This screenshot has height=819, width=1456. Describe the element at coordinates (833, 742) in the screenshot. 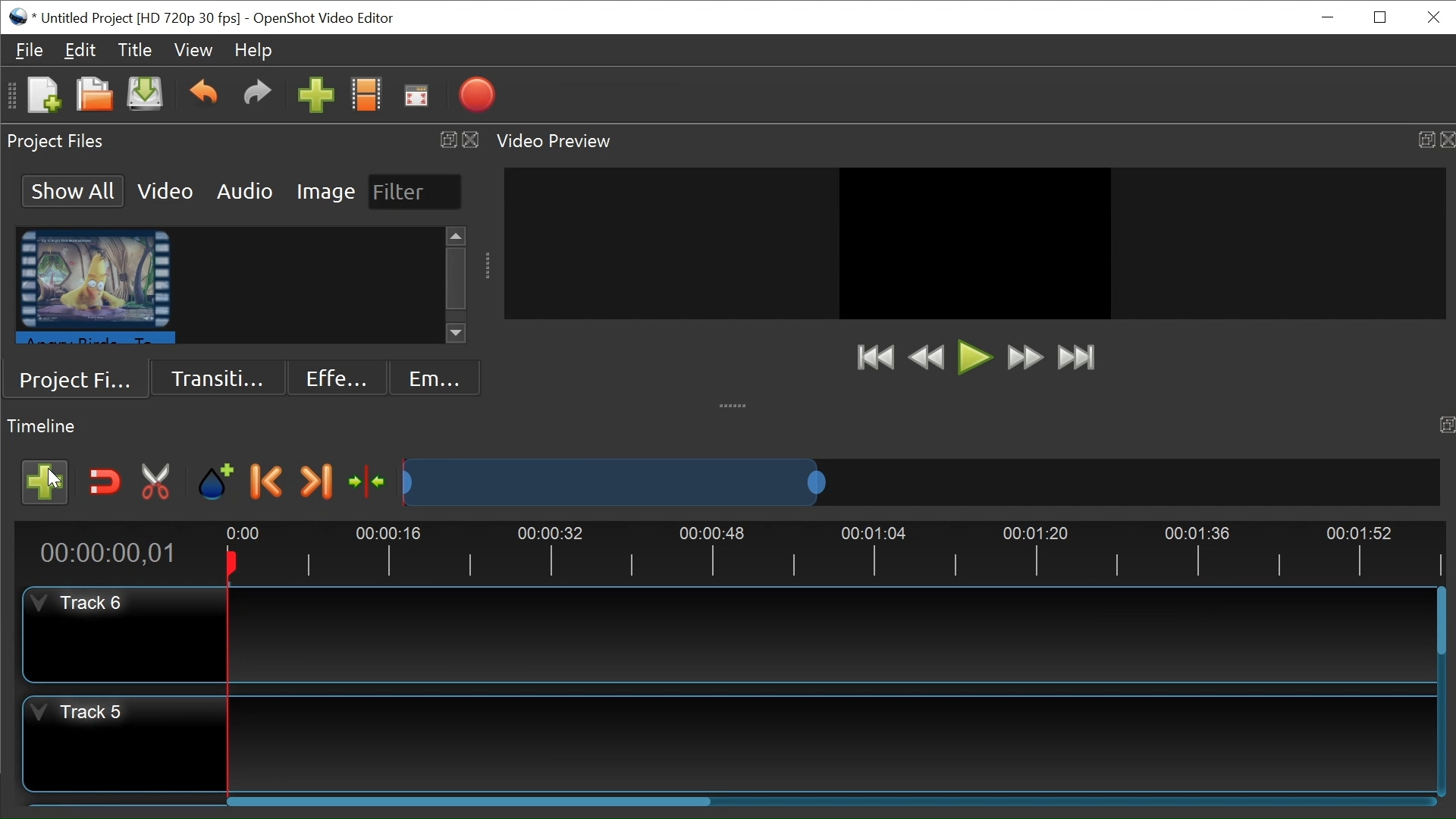

I see `Track Panel` at that location.